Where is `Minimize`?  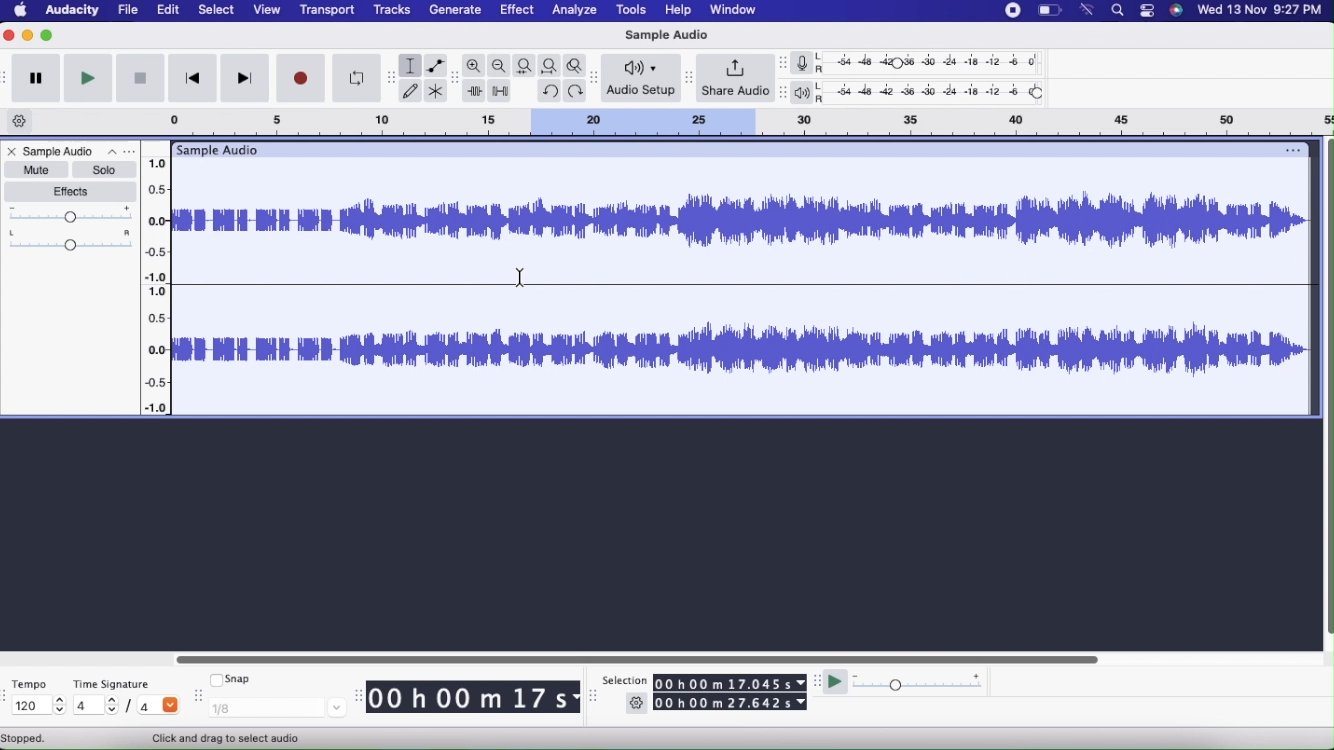 Minimize is located at coordinates (28, 35).